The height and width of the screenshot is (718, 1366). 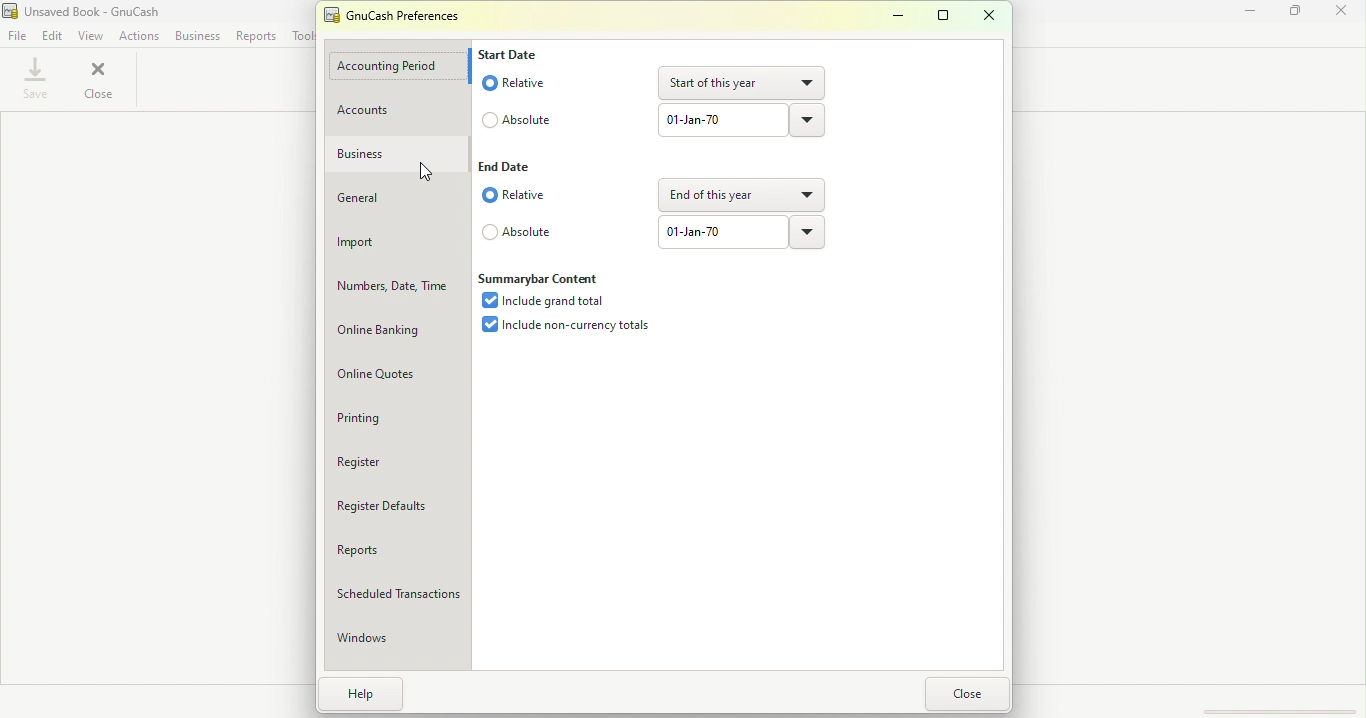 What do you see at coordinates (55, 37) in the screenshot?
I see `Edit` at bounding box center [55, 37].